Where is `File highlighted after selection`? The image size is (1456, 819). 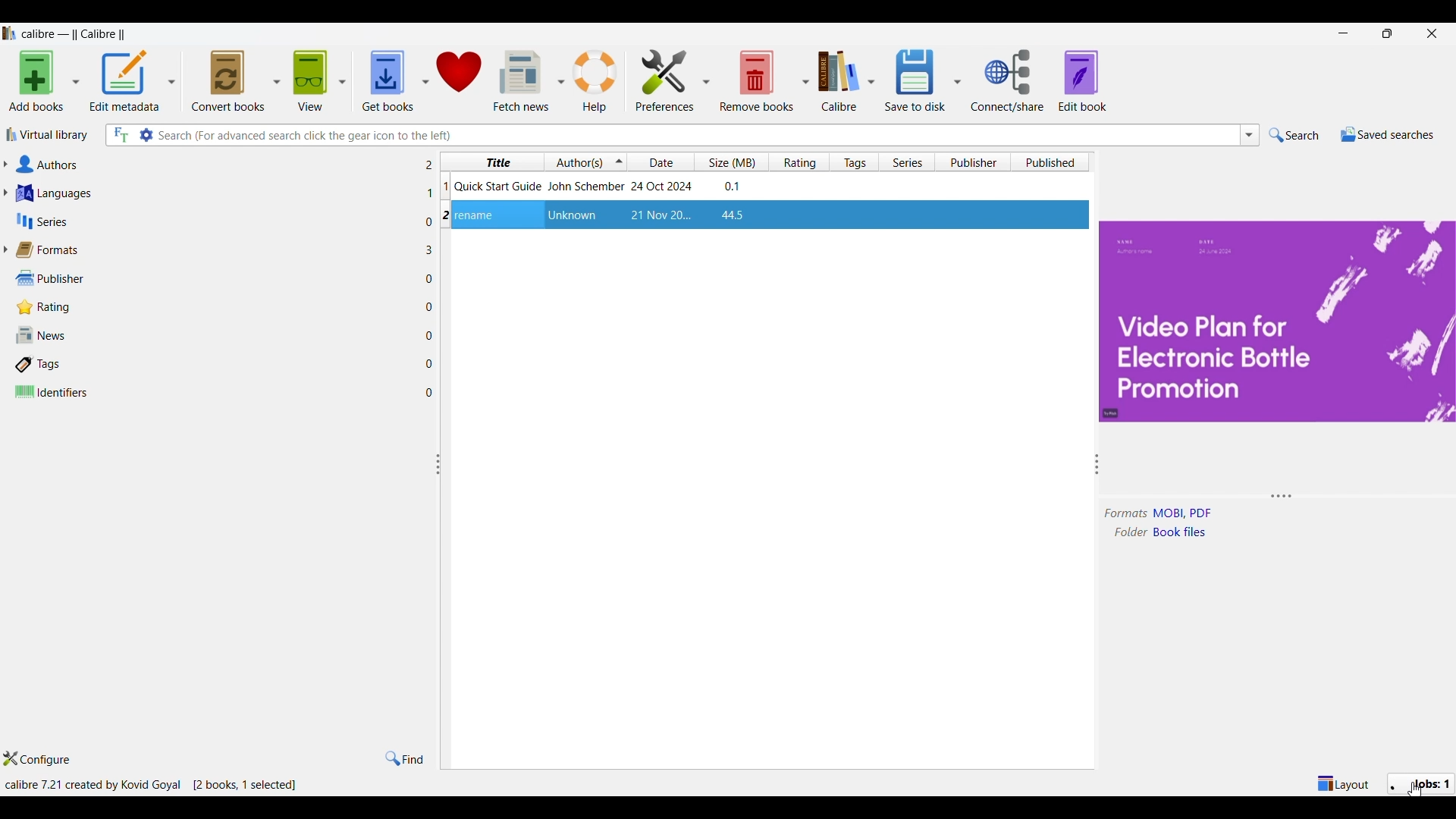
File highlighted after selection is located at coordinates (767, 216).